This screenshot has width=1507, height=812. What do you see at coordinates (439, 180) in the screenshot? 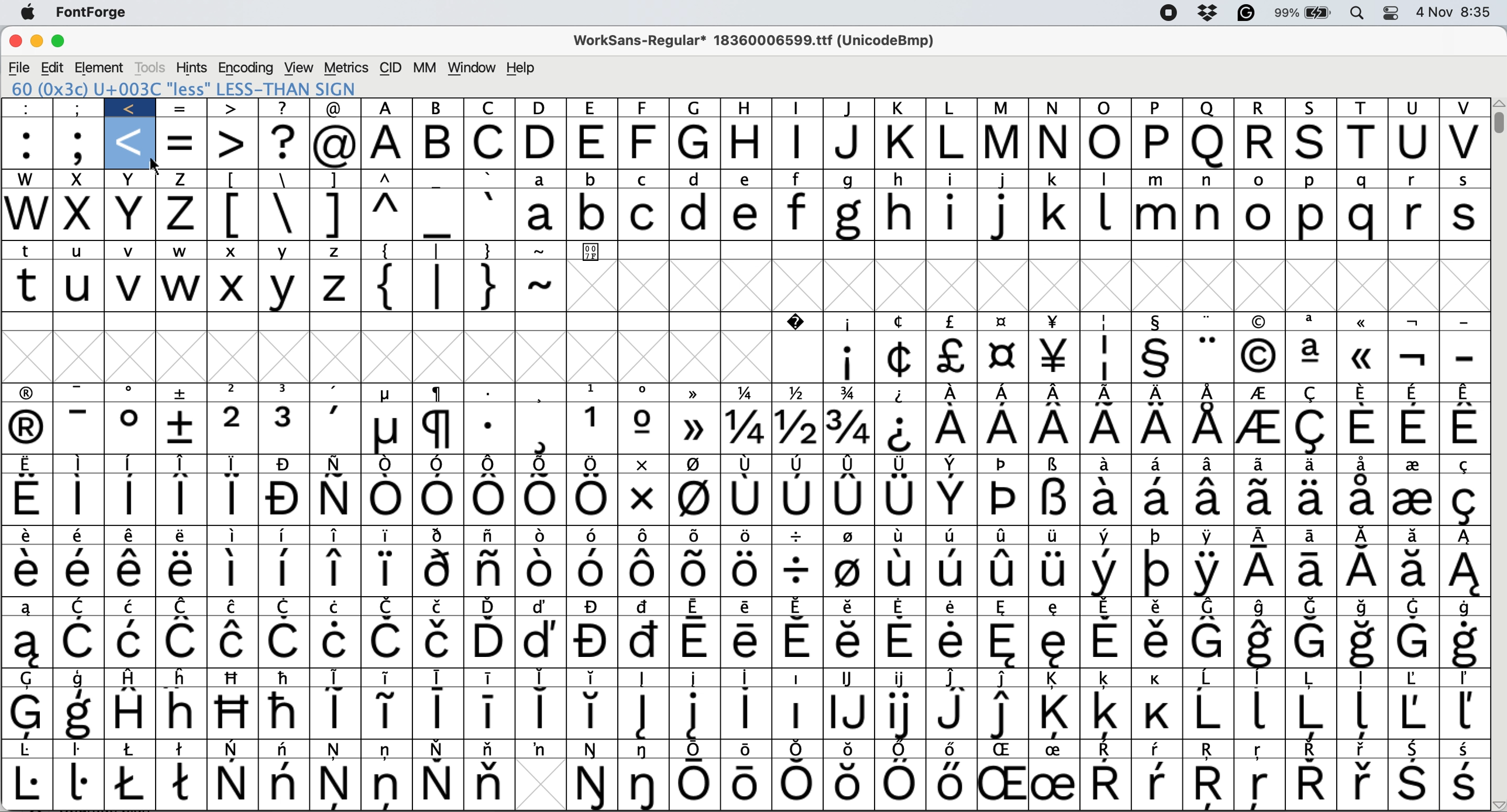
I see `_` at bounding box center [439, 180].